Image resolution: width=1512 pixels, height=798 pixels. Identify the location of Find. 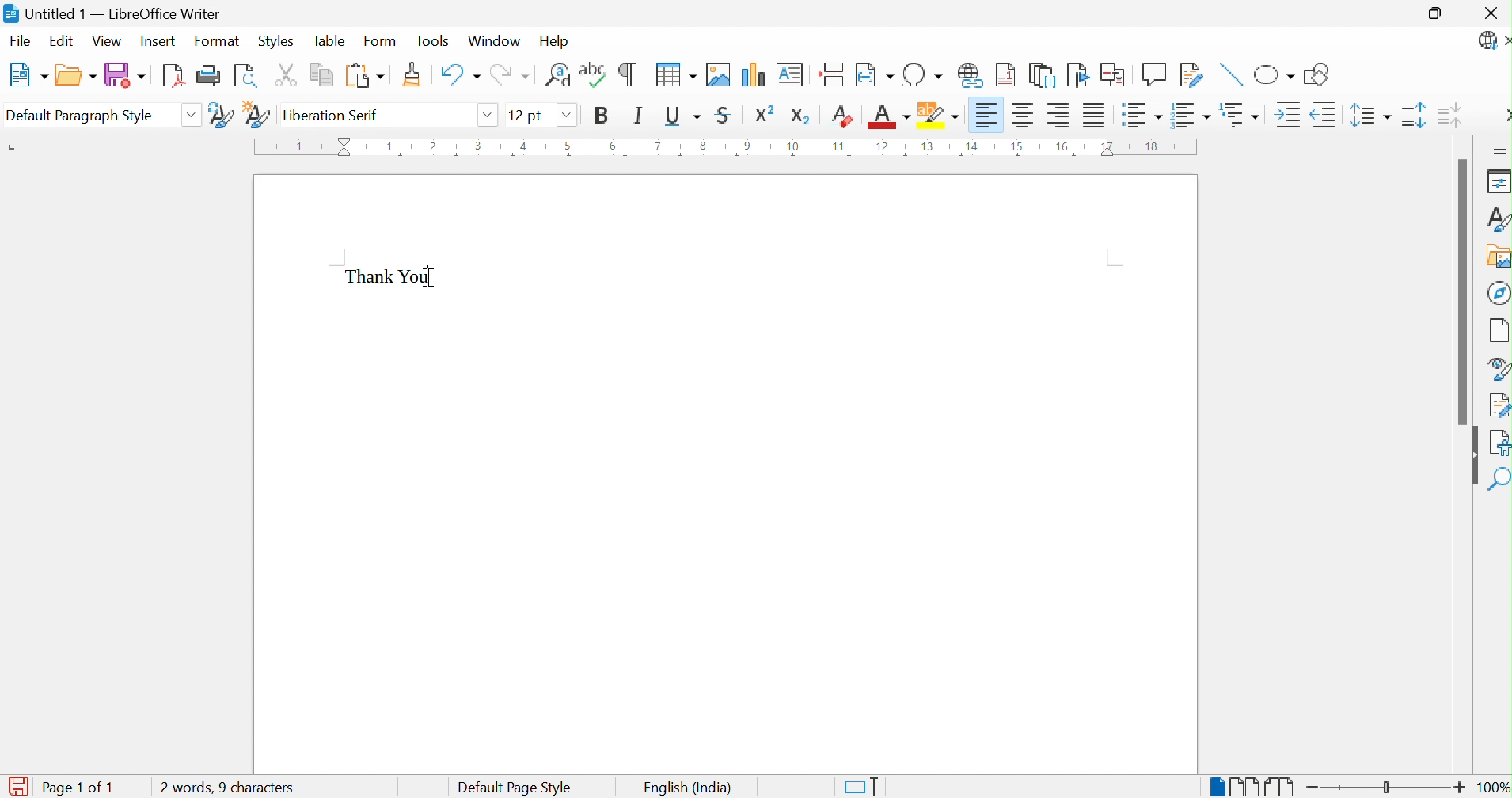
(1499, 481).